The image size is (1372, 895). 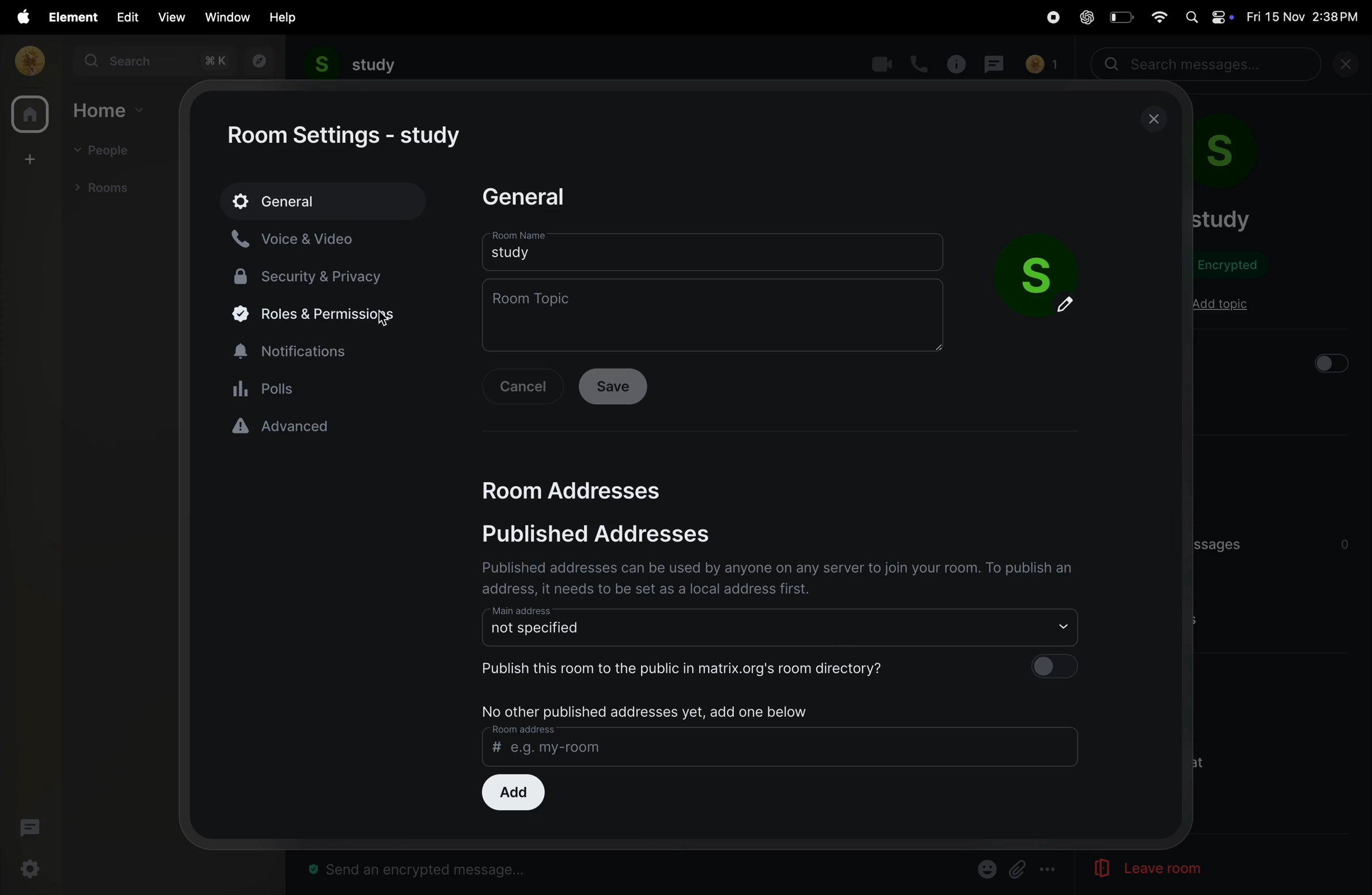 What do you see at coordinates (323, 426) in the screenshot?
I see `advanced` at bounding box center [323, 426].